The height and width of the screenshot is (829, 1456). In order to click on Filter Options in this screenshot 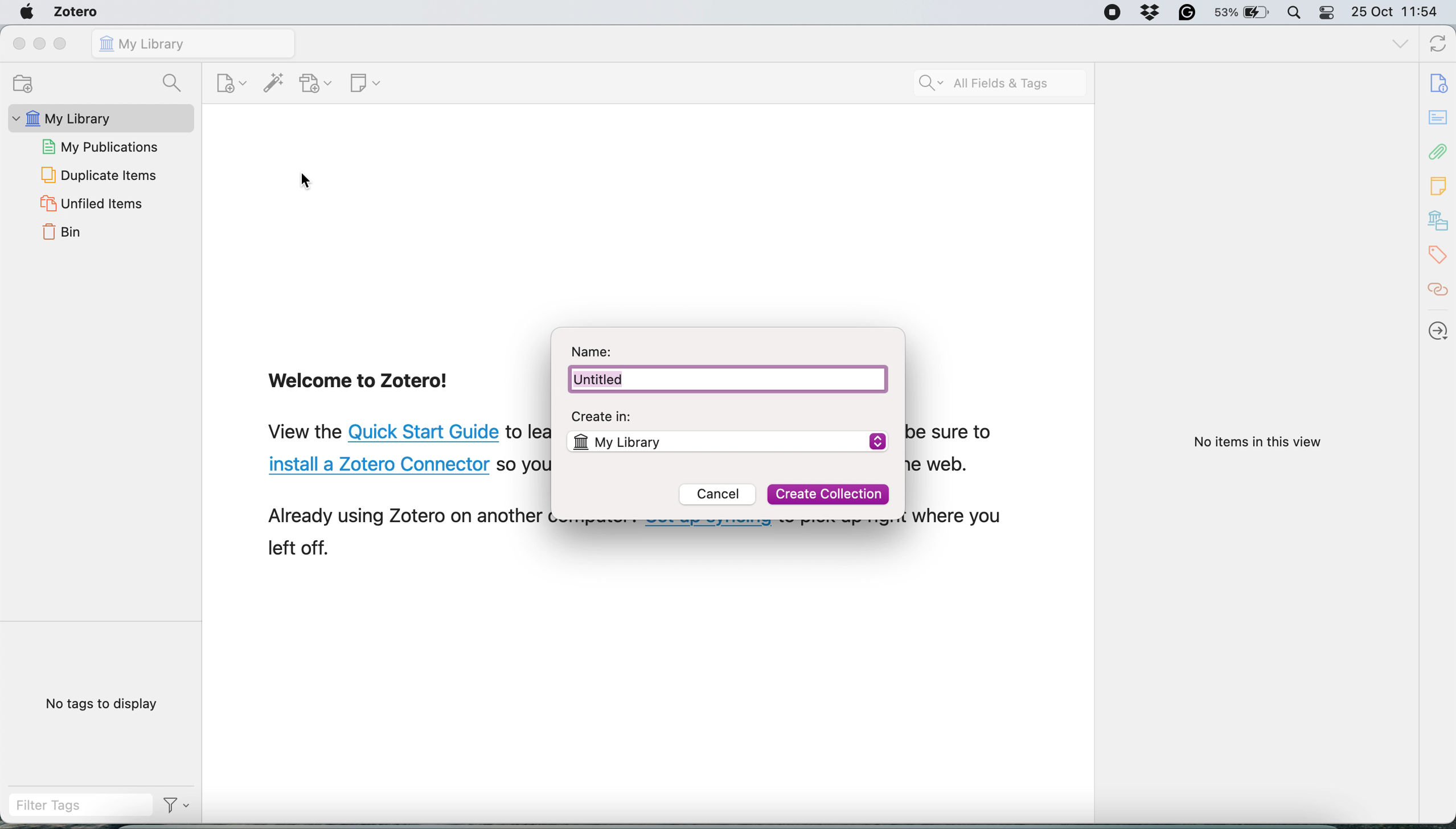, I will do `click(178, 809)`.